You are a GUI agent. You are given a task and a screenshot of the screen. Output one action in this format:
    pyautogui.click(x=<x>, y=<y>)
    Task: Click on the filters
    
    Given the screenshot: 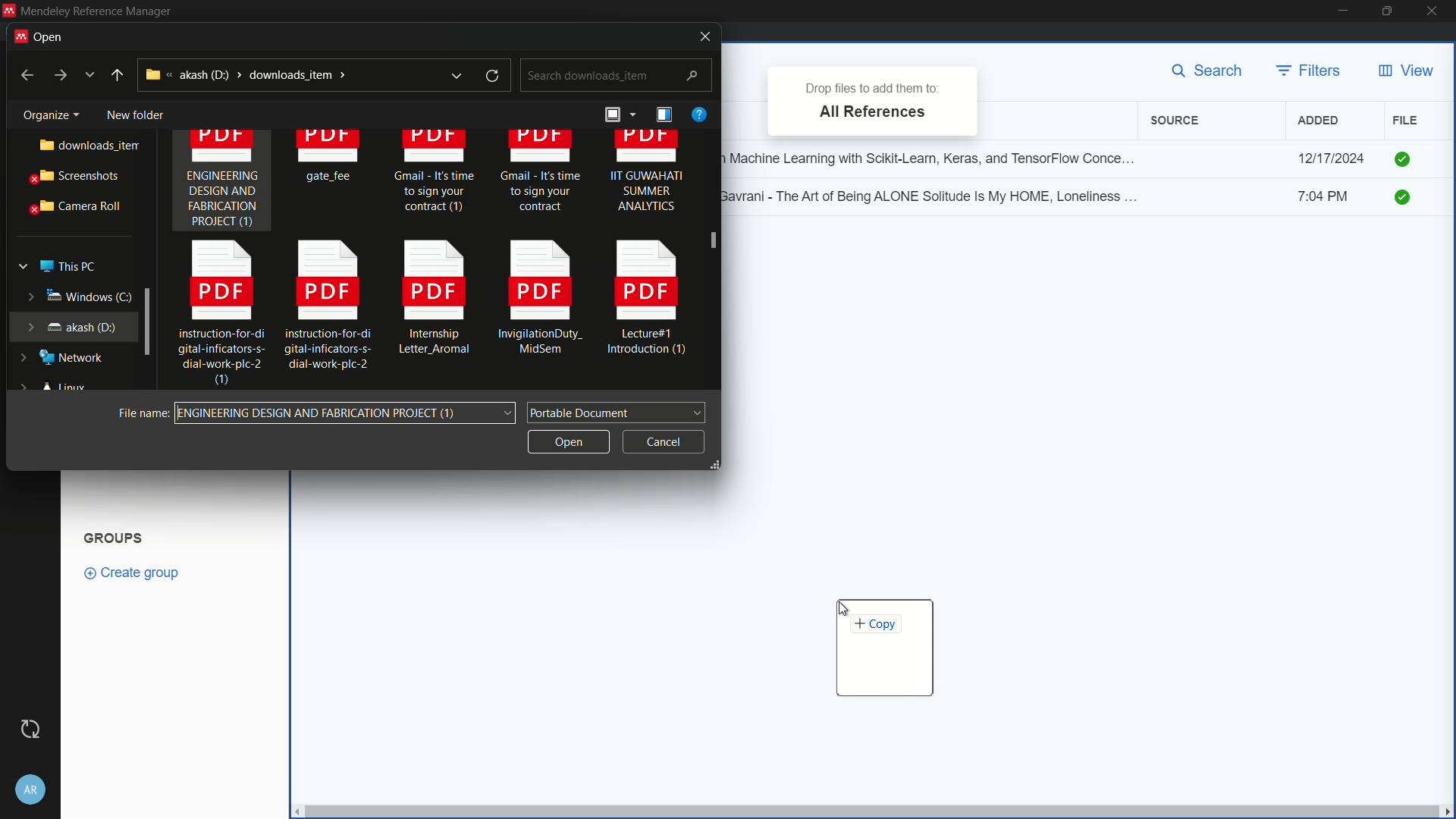 What is the action you would take?
    pyautogui.click(x=1310, y=71)
    